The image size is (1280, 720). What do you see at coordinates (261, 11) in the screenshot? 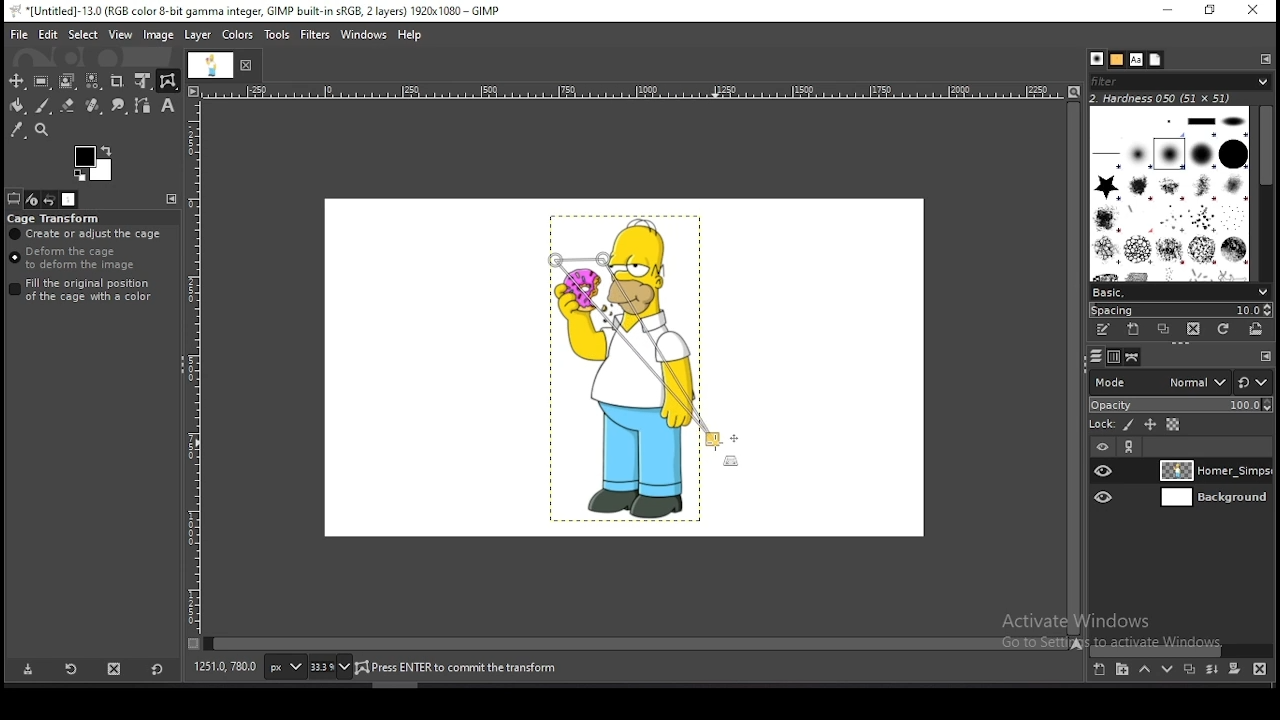
I see `*[untitled]-13.0 (rgb color 8-bit gamma integer, gimp built-in sRGB, 2 layers) 1920x1080 - gimp` at bounding box center [261, 11].